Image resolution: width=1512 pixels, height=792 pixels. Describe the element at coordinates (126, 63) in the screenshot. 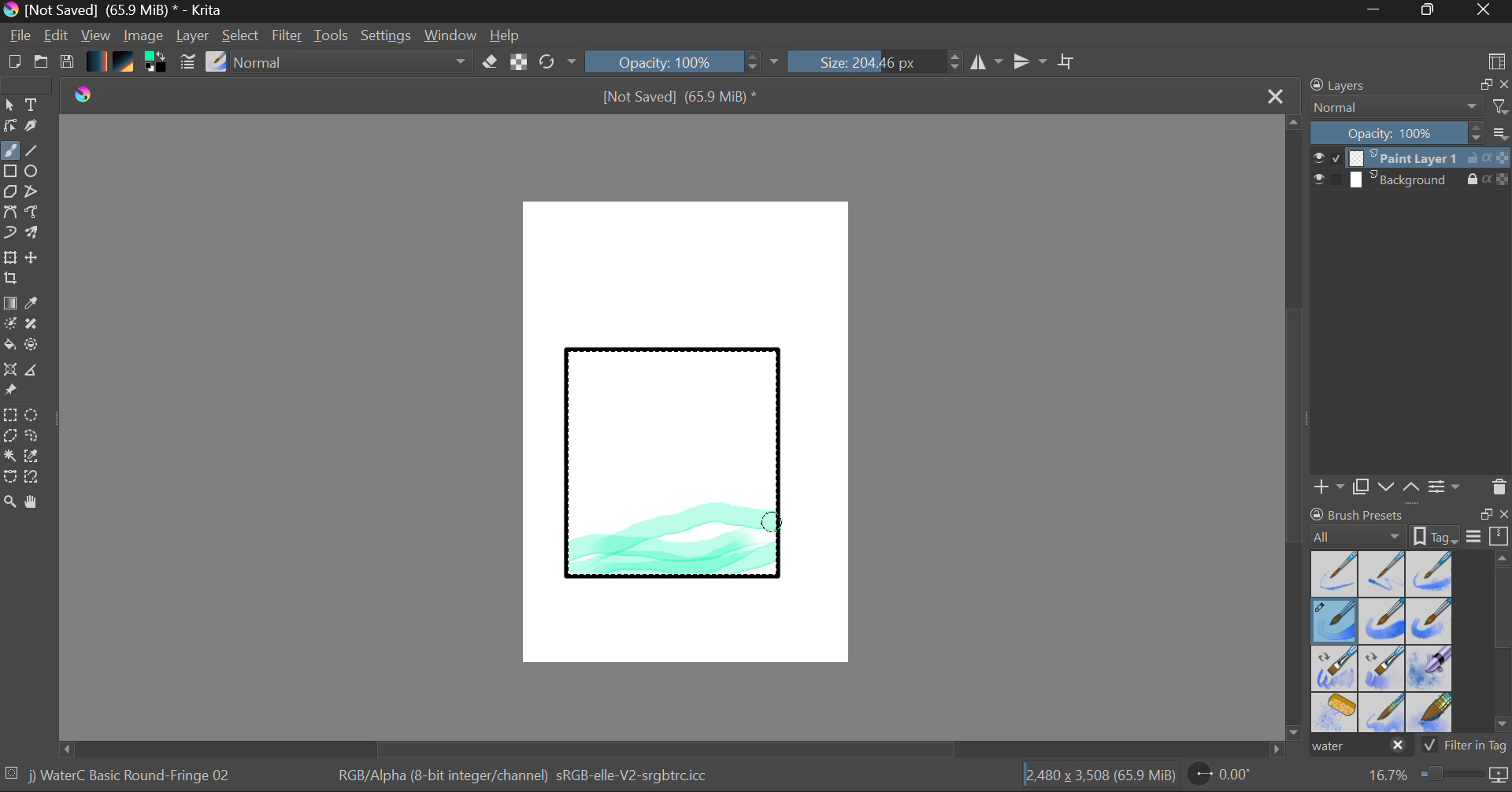

I see `Pattern` at that location.